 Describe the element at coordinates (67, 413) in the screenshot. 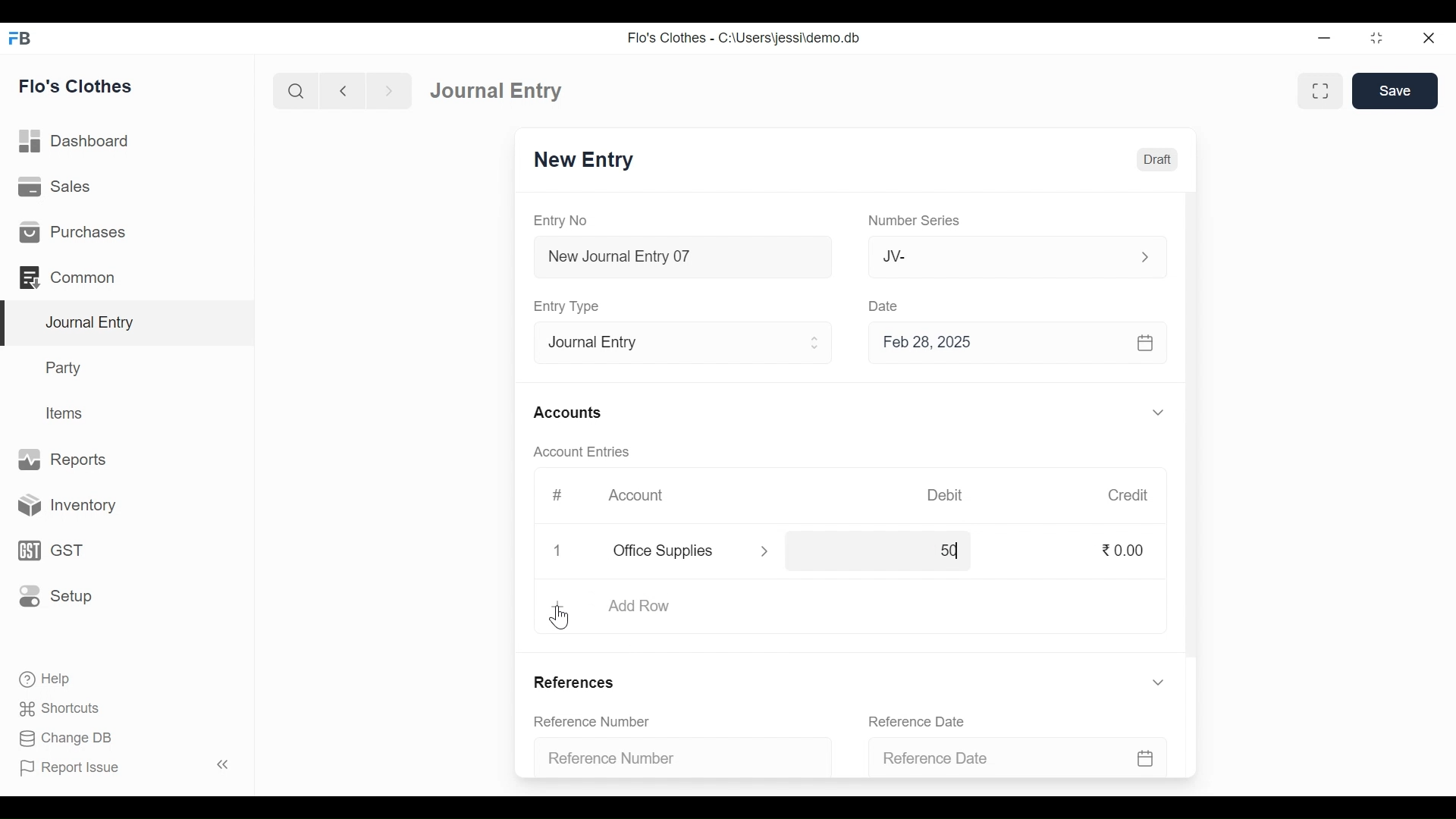

I see `Items` at that location.